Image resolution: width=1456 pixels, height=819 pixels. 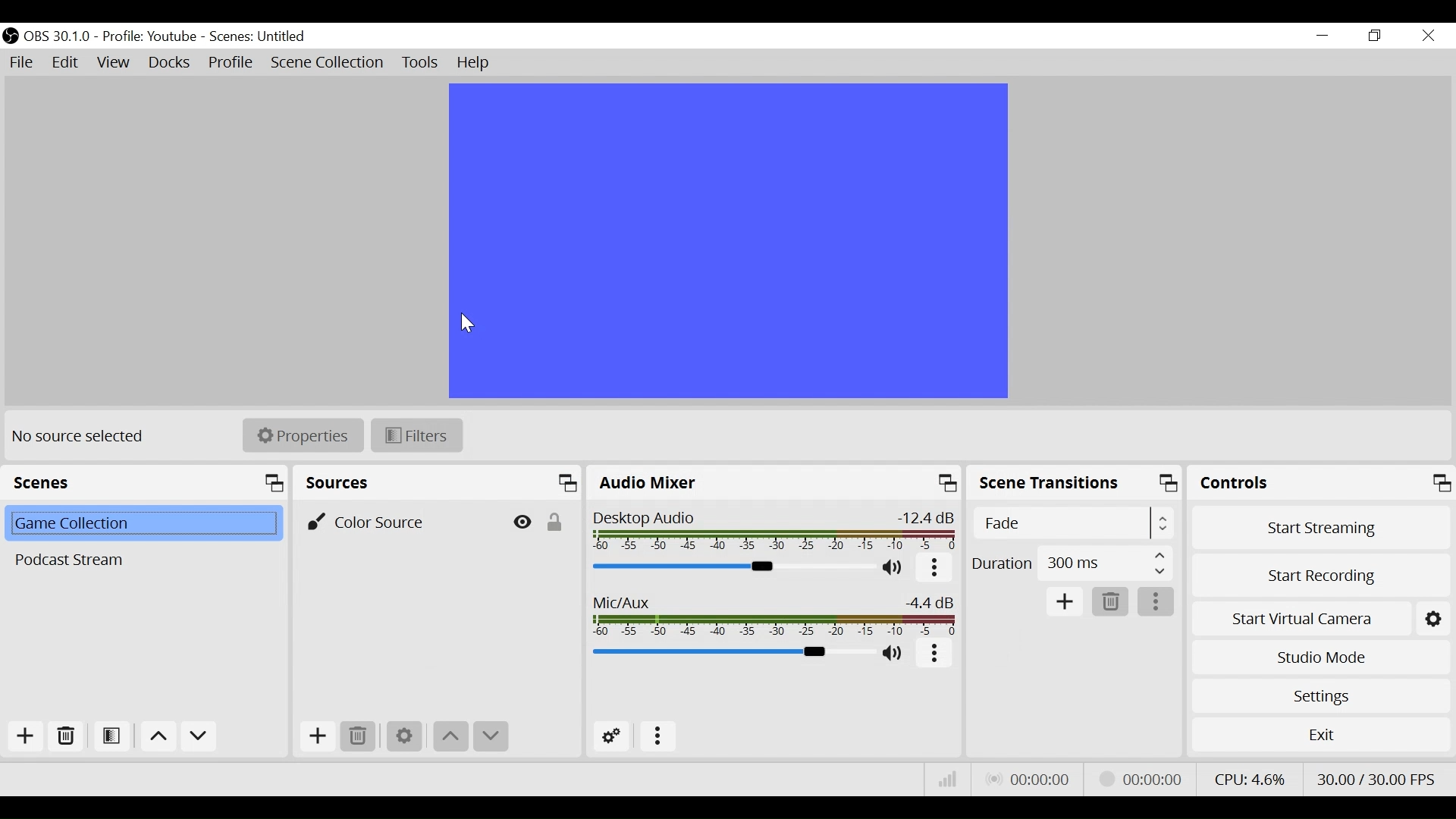 I want to click on Color Source, so click(x=395, y=520).